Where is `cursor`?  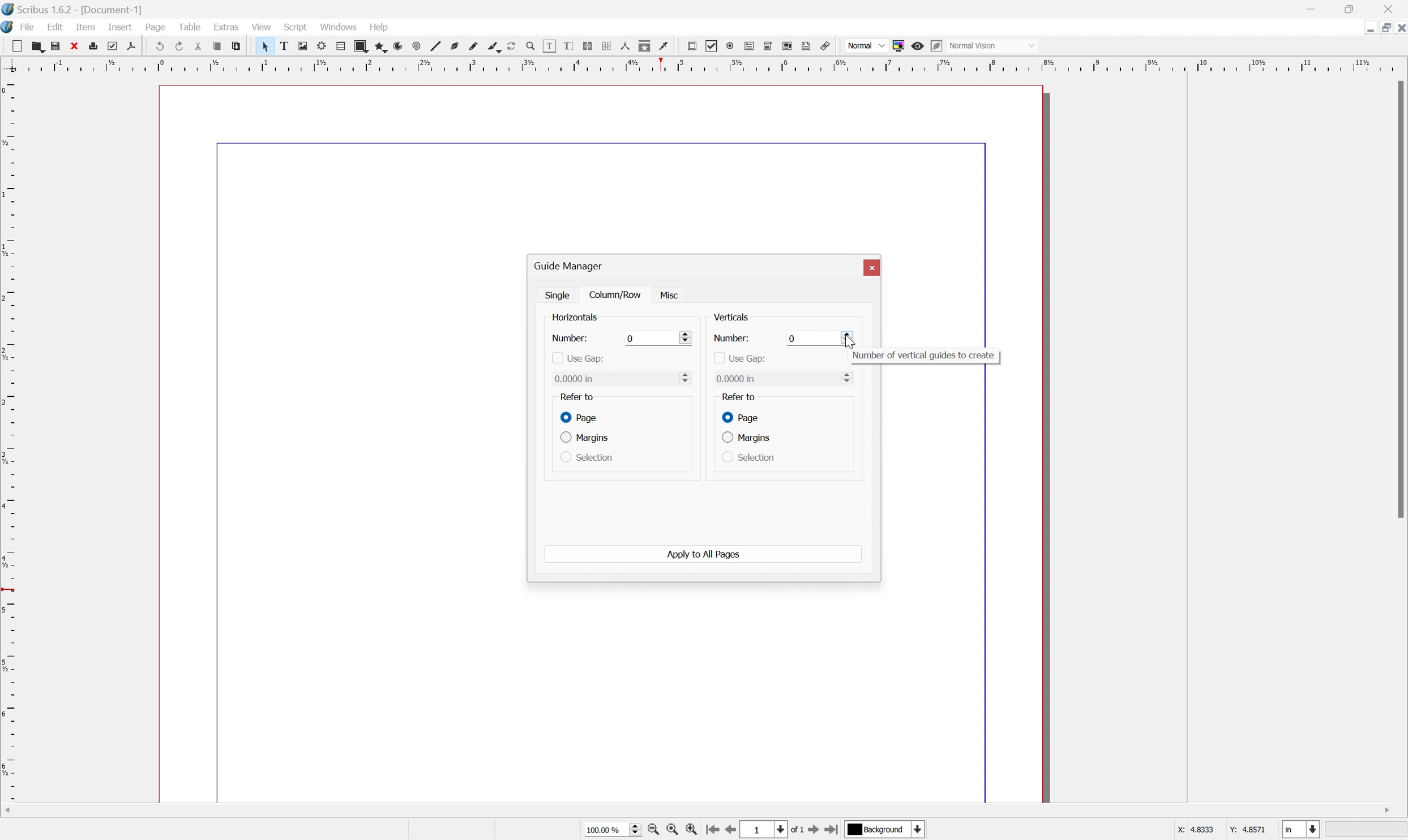 cursor is located at coordinates (671, 294).